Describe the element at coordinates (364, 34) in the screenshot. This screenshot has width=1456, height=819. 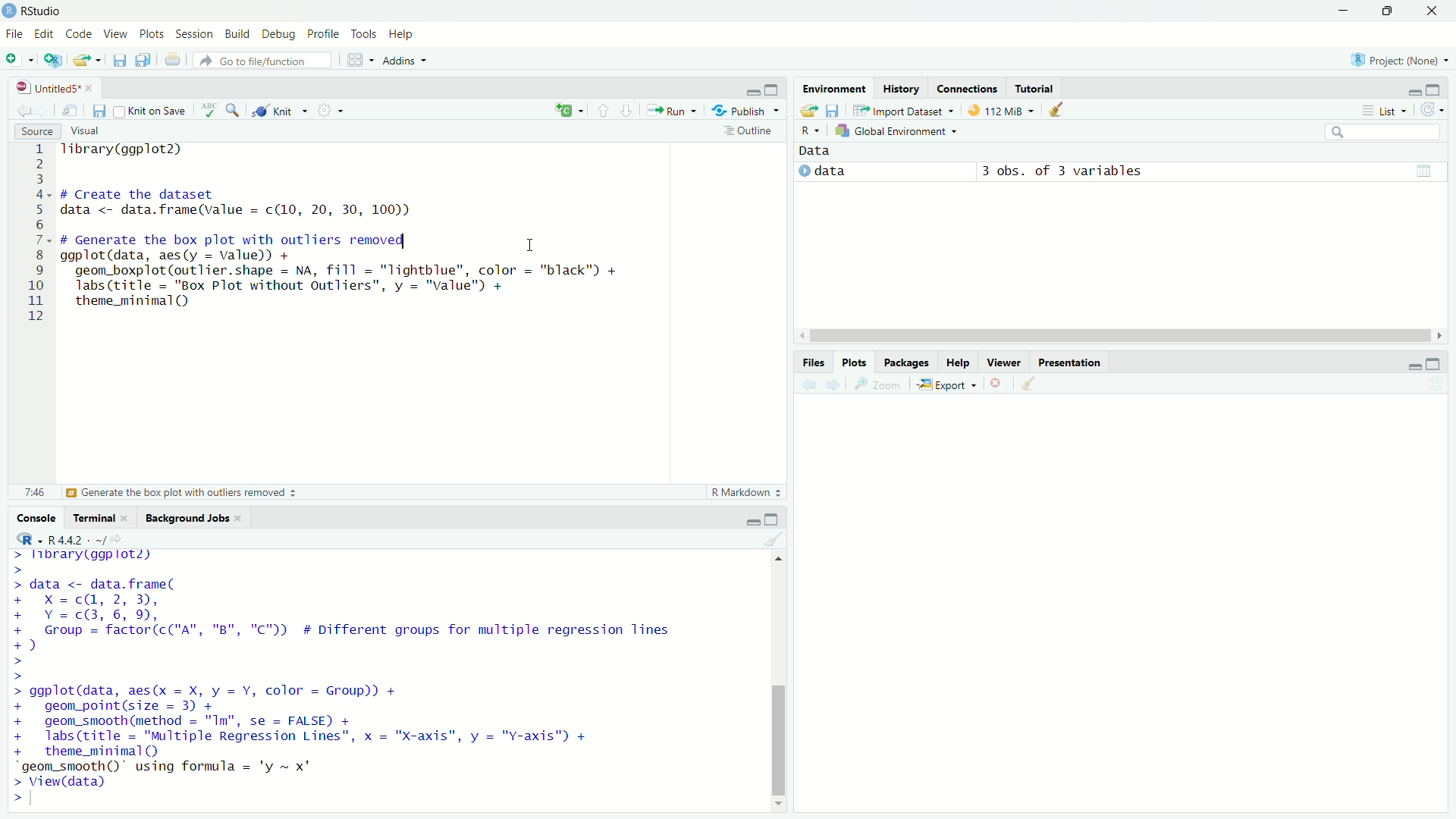
I see `Tools` at that location.